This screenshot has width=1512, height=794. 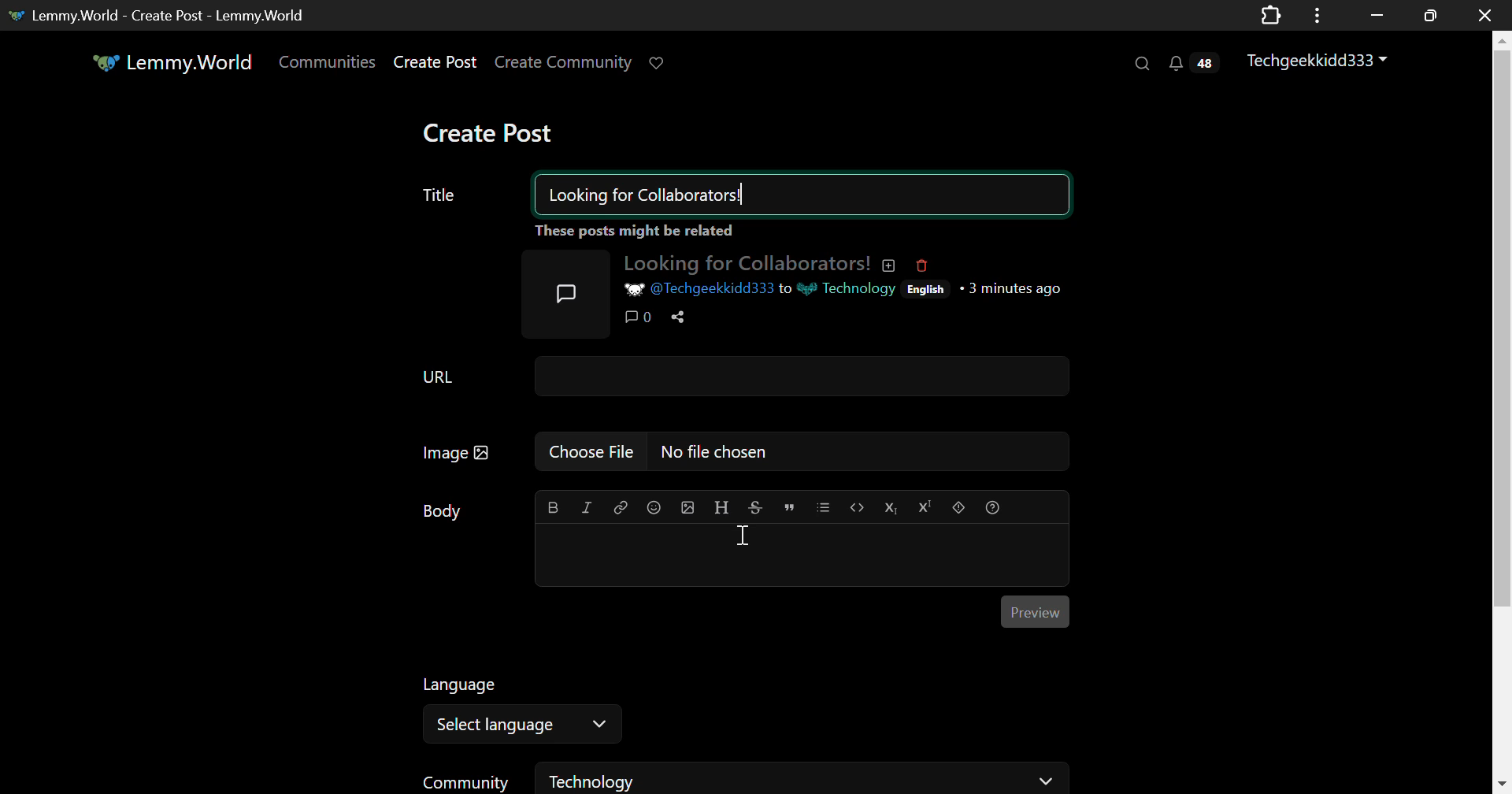 I want to click on Application Menu, so click(x=1319, y=15).